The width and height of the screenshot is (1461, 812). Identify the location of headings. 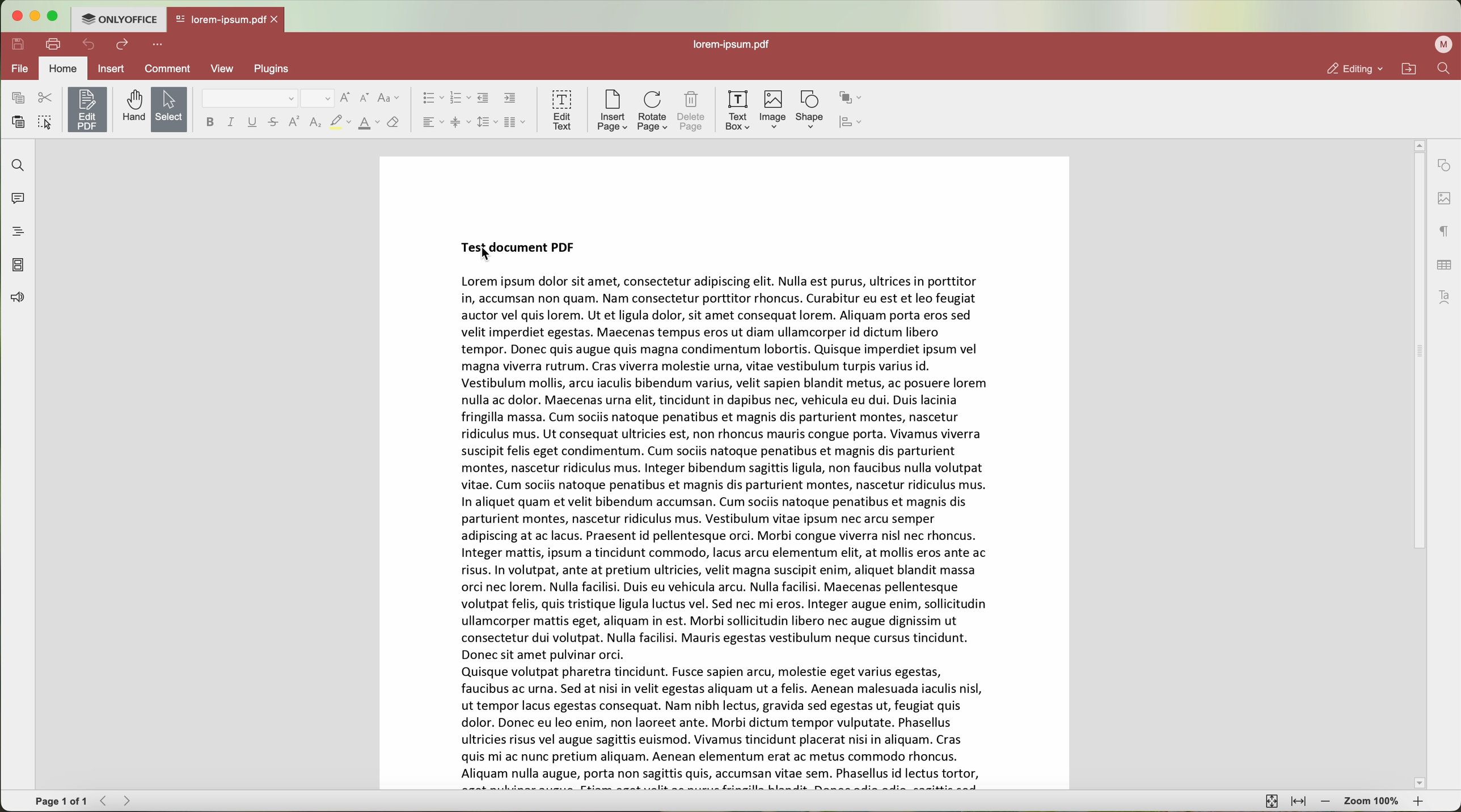
(19, 232).